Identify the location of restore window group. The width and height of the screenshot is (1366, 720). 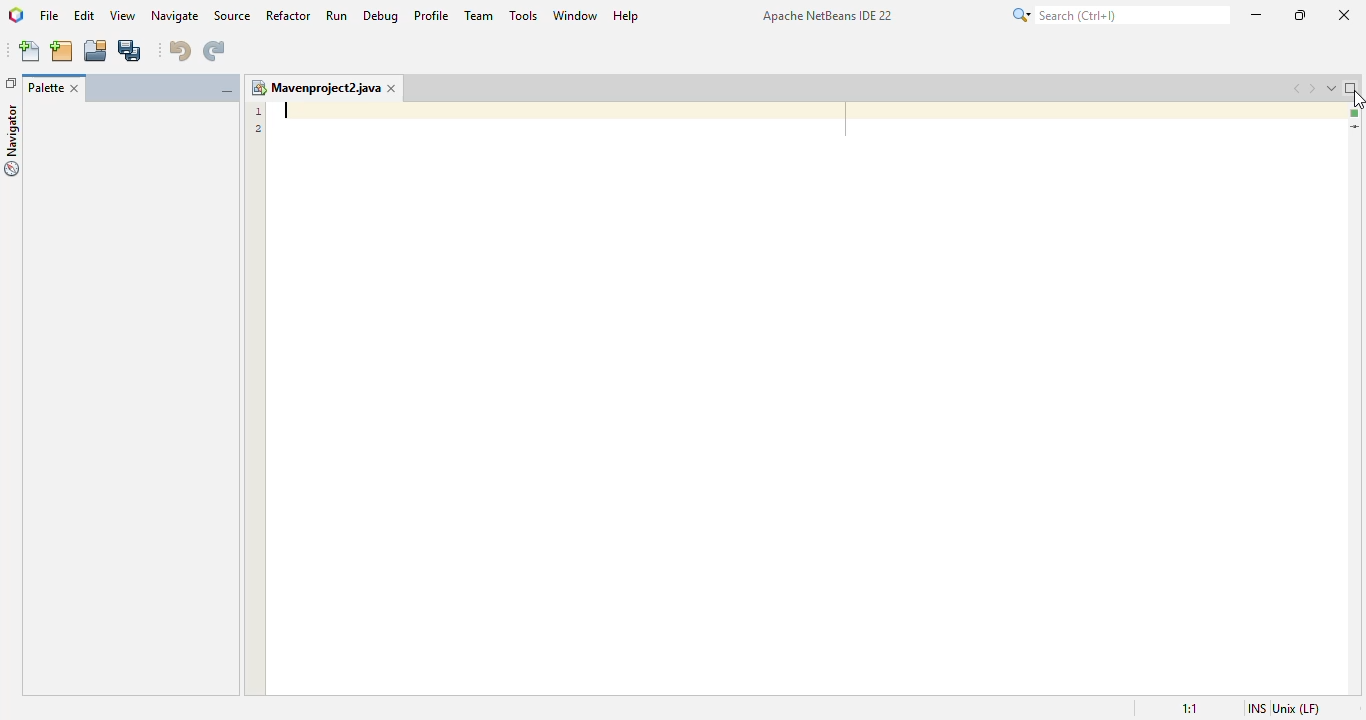
(11, 83).